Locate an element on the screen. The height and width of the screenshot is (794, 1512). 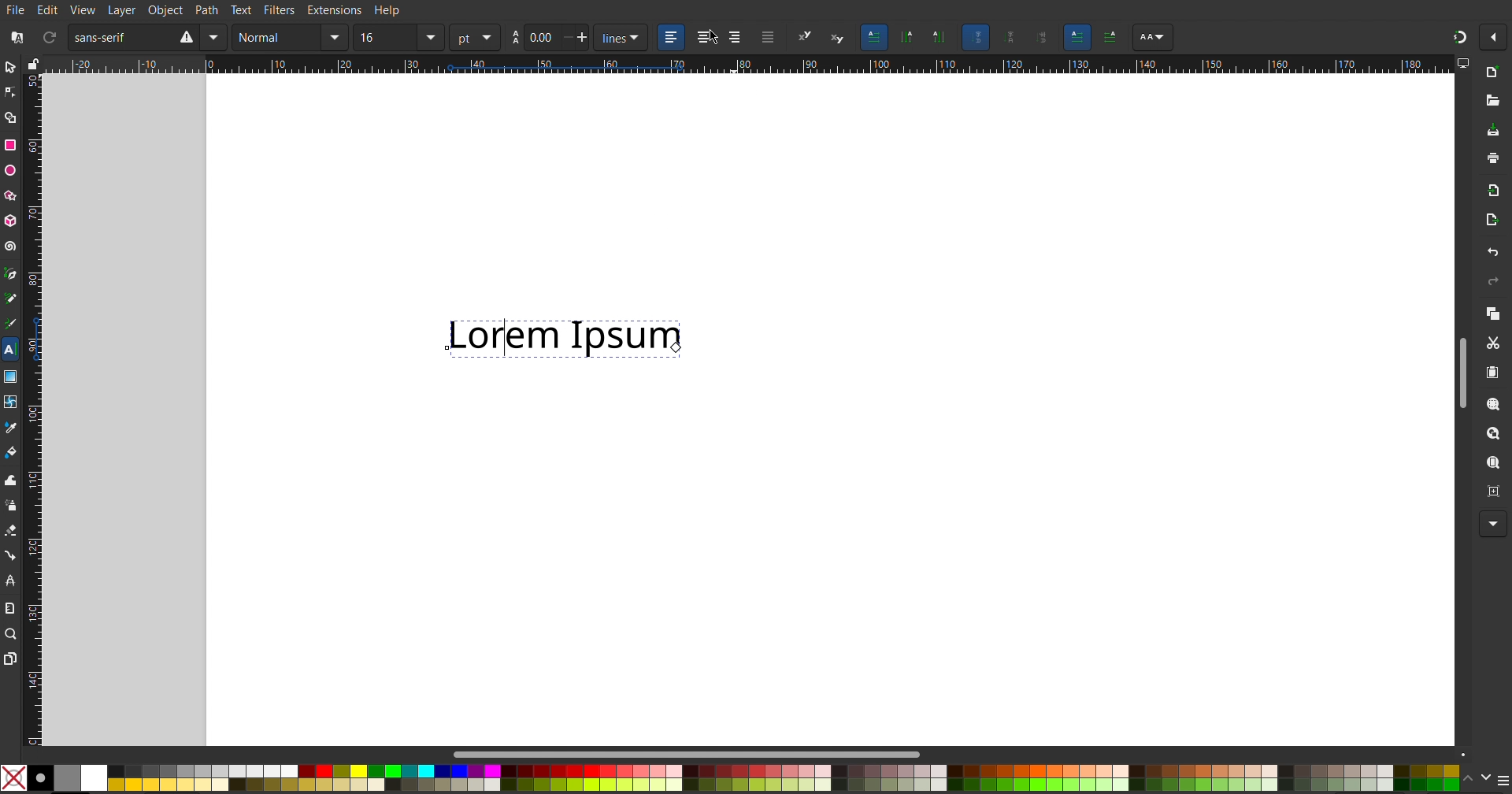
Open is located at coordinates (1493, 100).